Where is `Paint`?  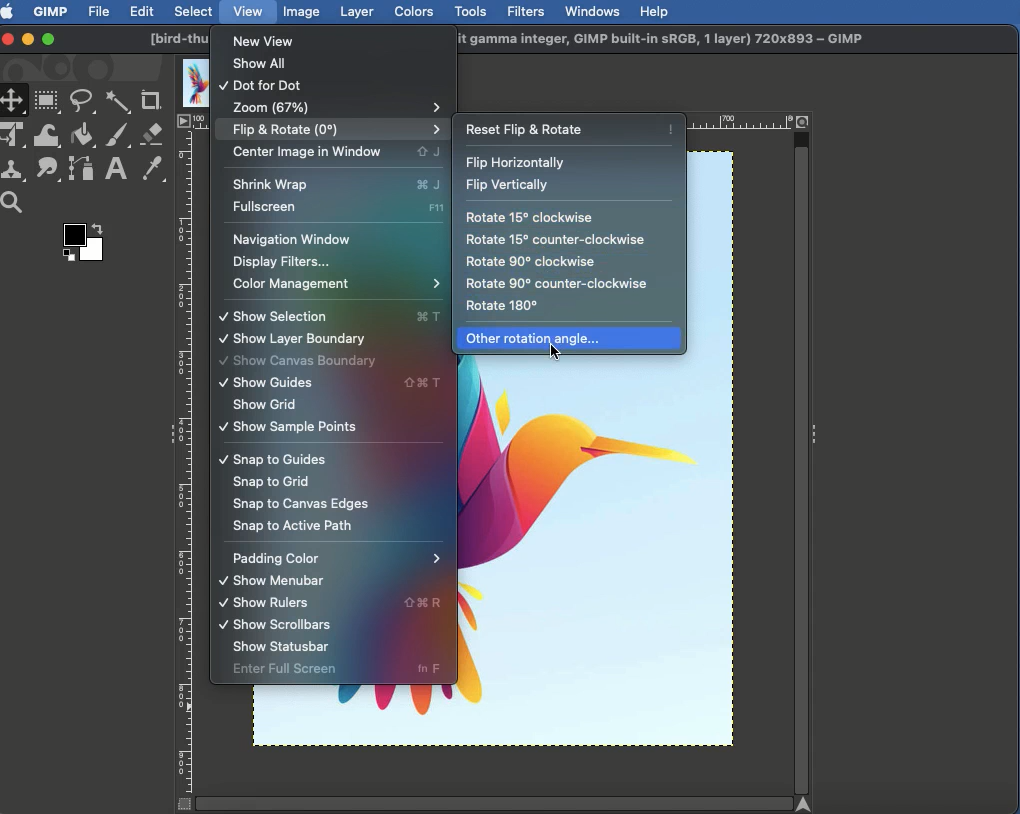
Paint is located at coordinates (116, 137).